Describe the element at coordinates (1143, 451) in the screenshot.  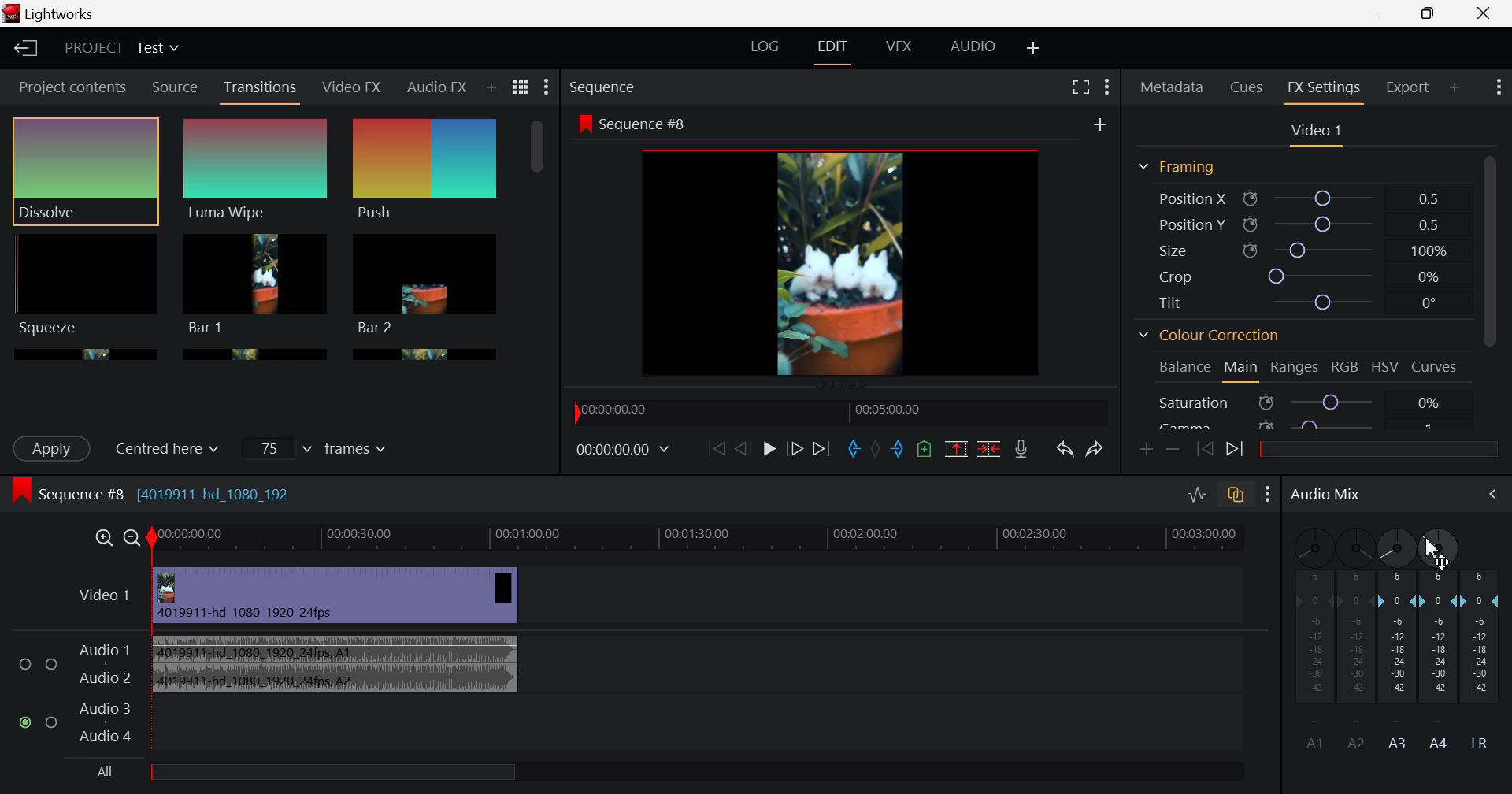
I see `Add keyframe` at that location.